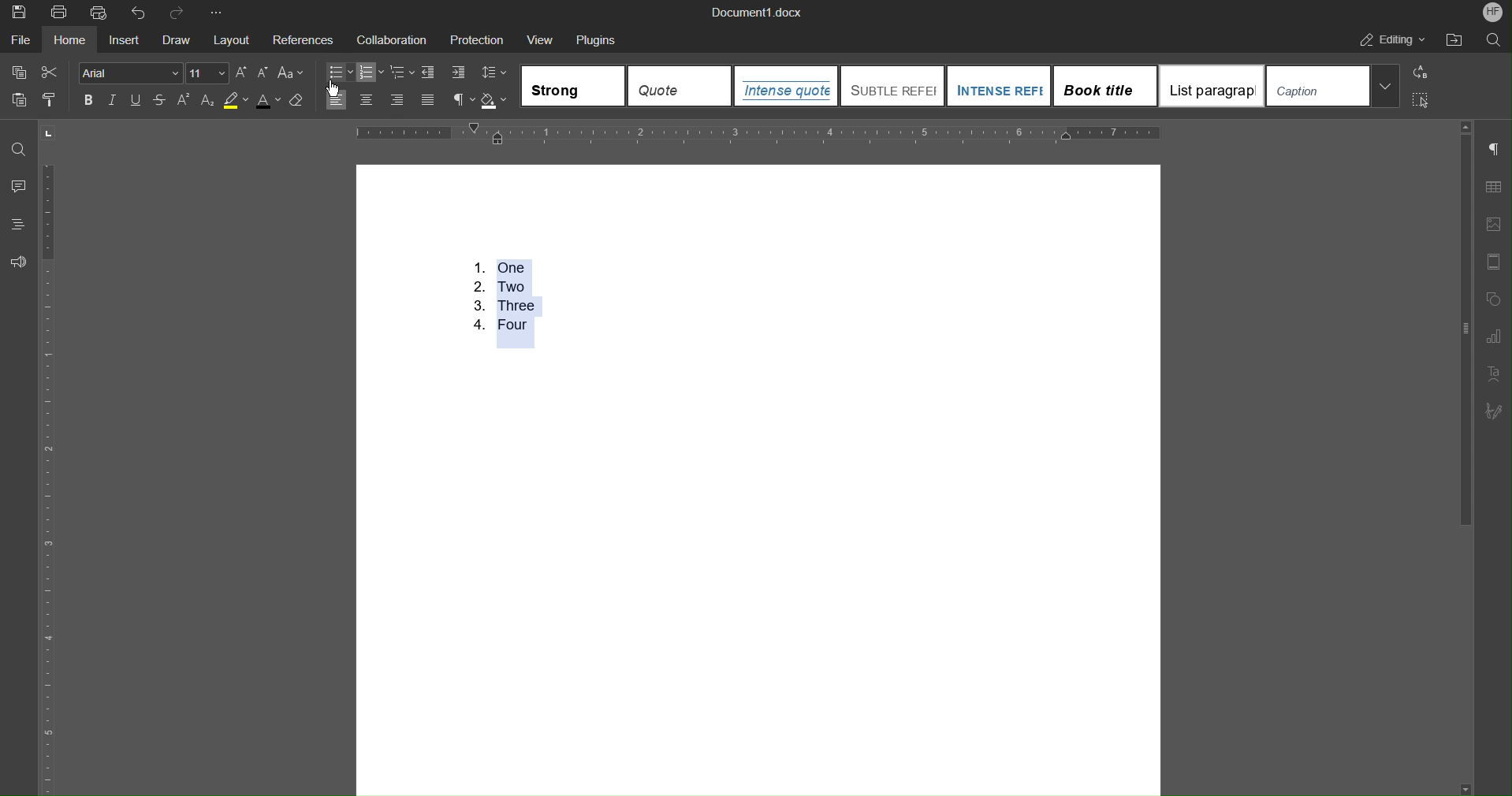 The height and width of the screenshot is (796, 1512). I want to click on Find, so click(18, 151).